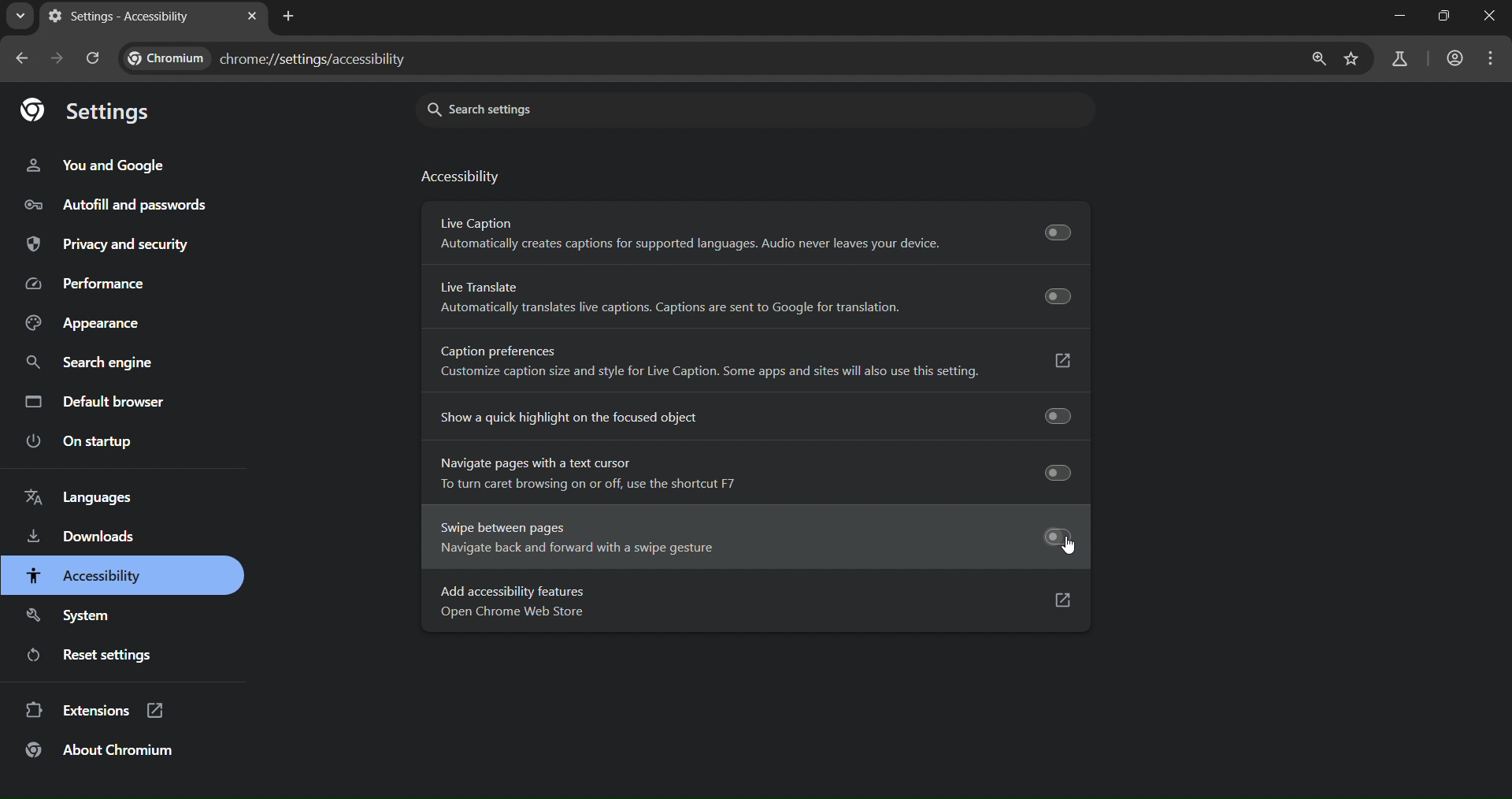 This screenshot has height=799, width=1512. Describe the element at coordinates (747, 540) in the screenshot. I see `Swipe between pages
Navigate back and forward with a swipe gesture` at that location.